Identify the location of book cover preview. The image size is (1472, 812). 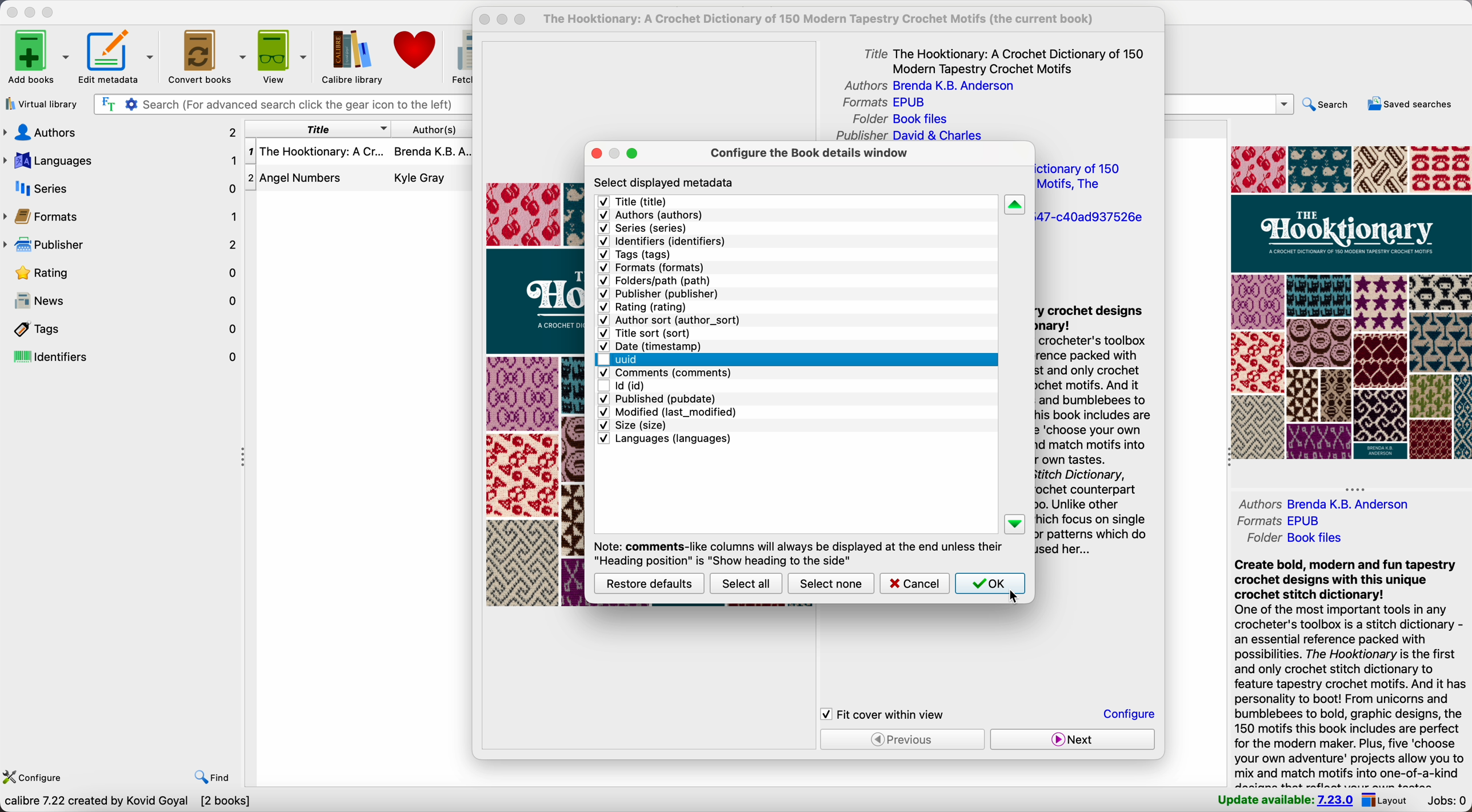
(537, 394).